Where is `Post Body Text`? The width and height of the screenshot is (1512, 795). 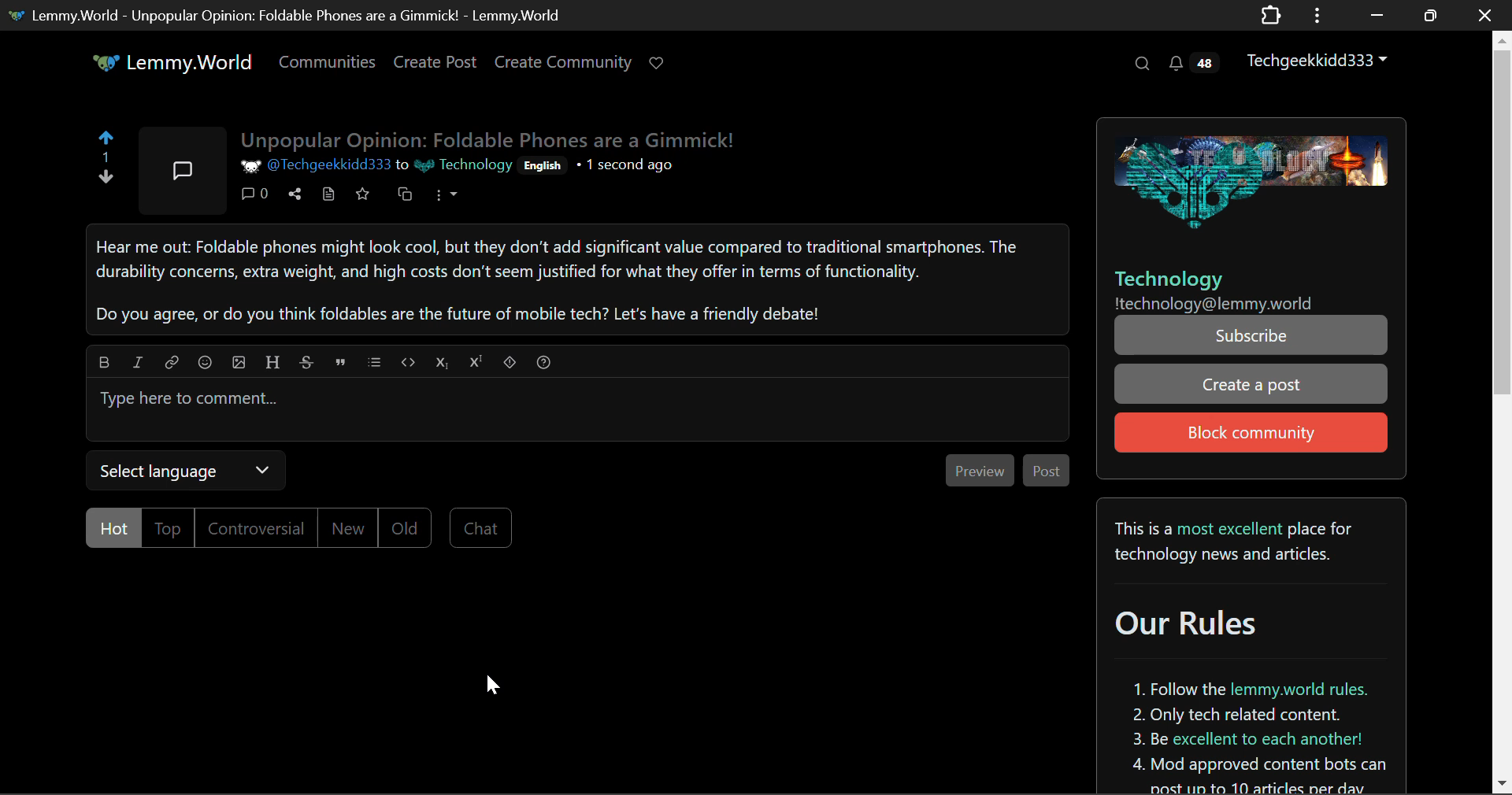
Post Body Text is located at coordinates (576, 278).